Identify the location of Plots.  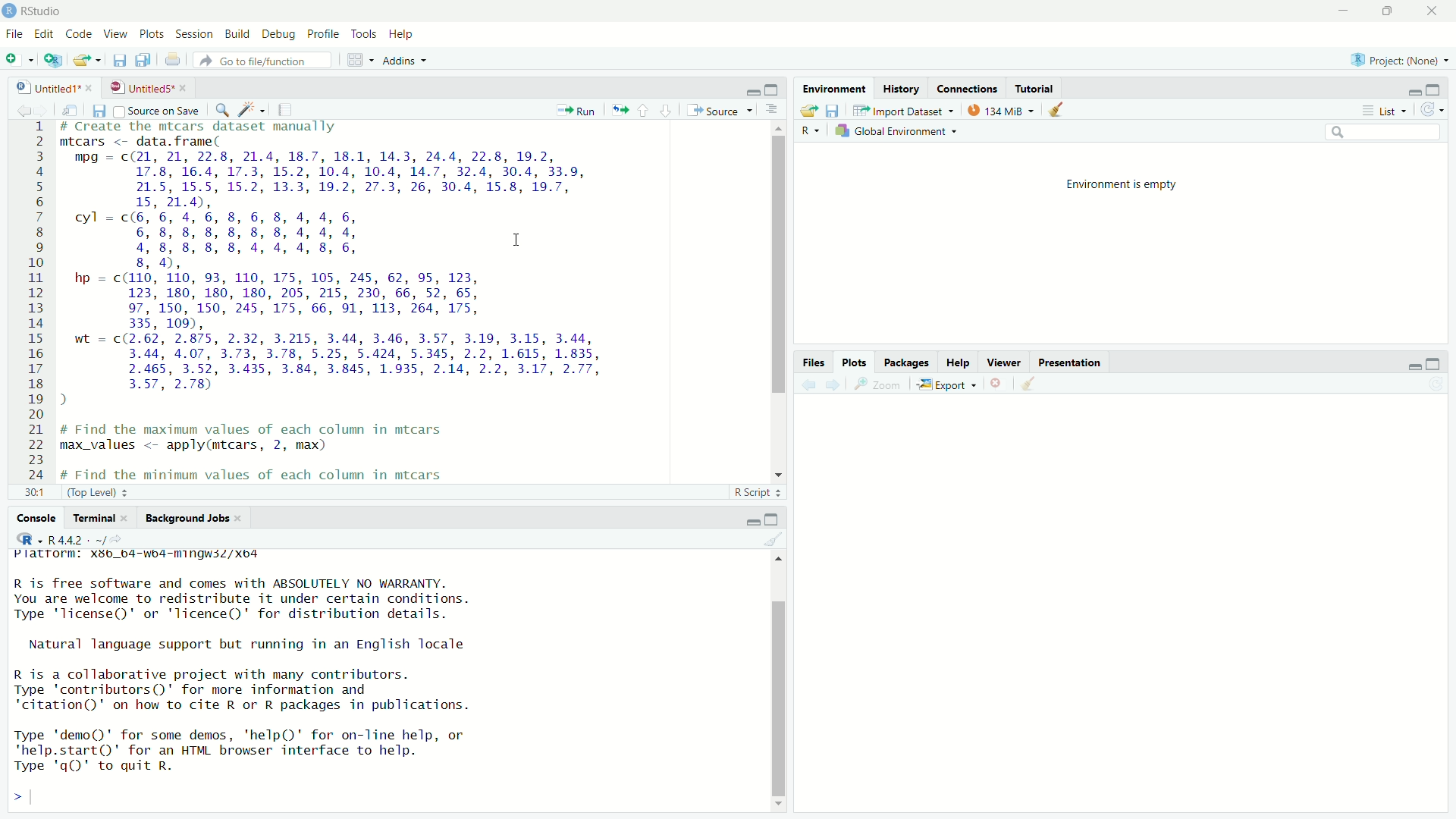
(152, 33).